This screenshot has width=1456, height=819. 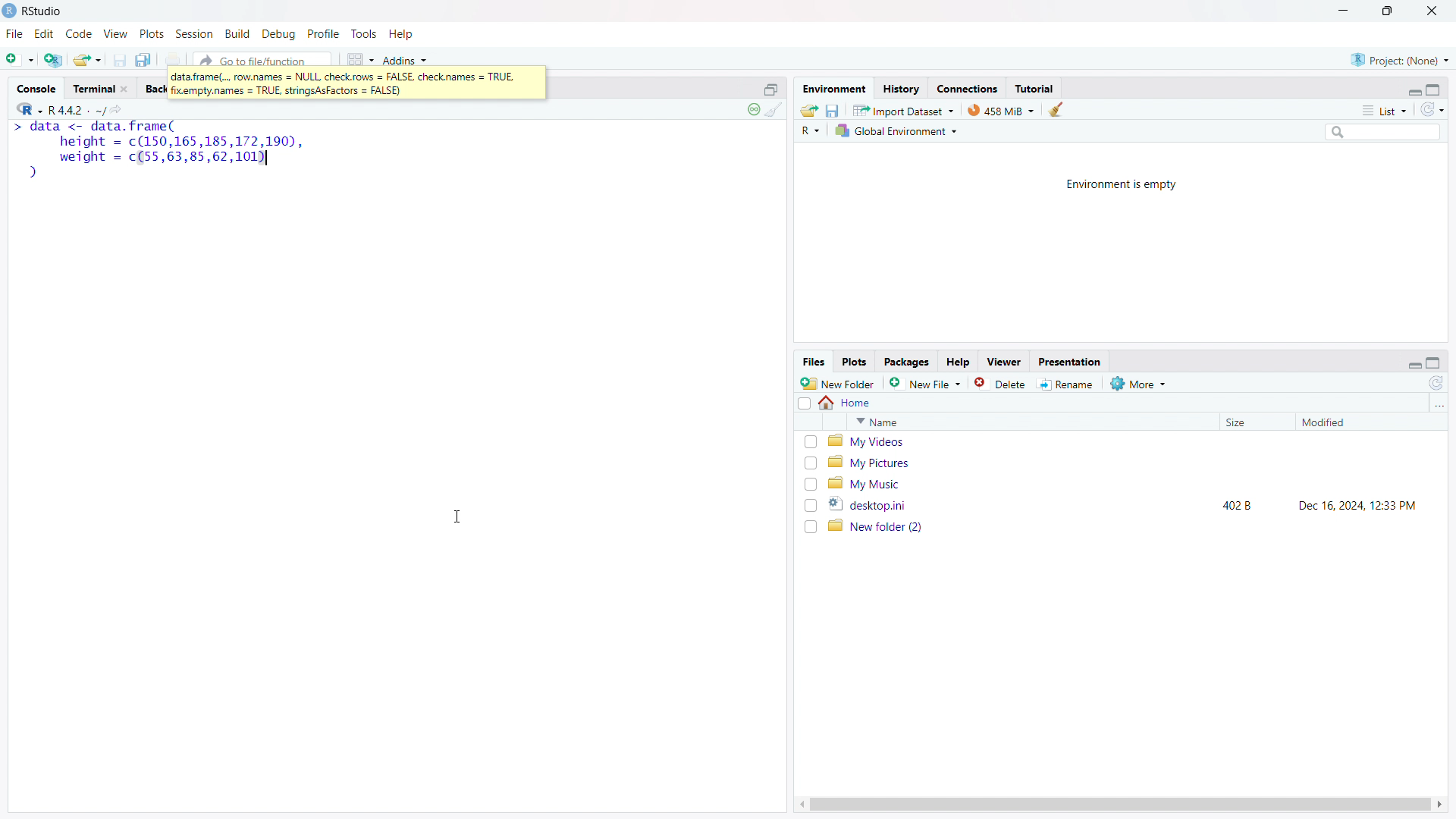 I want to click on maximize, so click(x=1389, y=11).